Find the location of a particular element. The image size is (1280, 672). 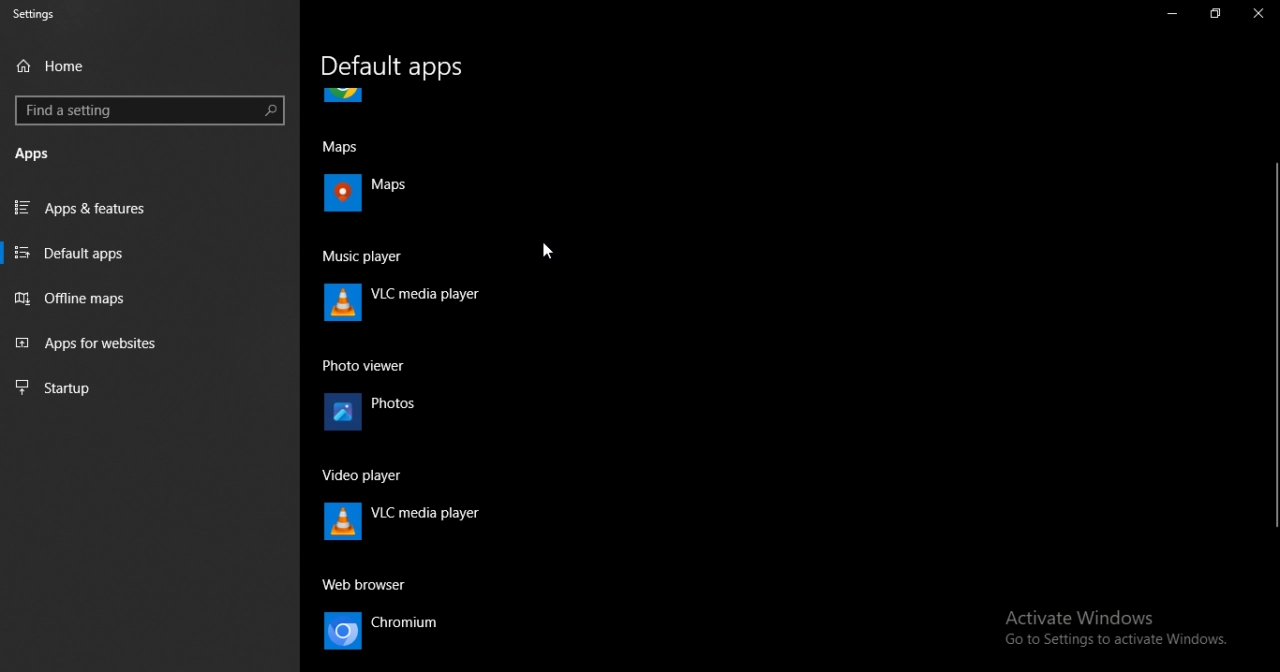

maximize is located at coordinates (1214, 13).